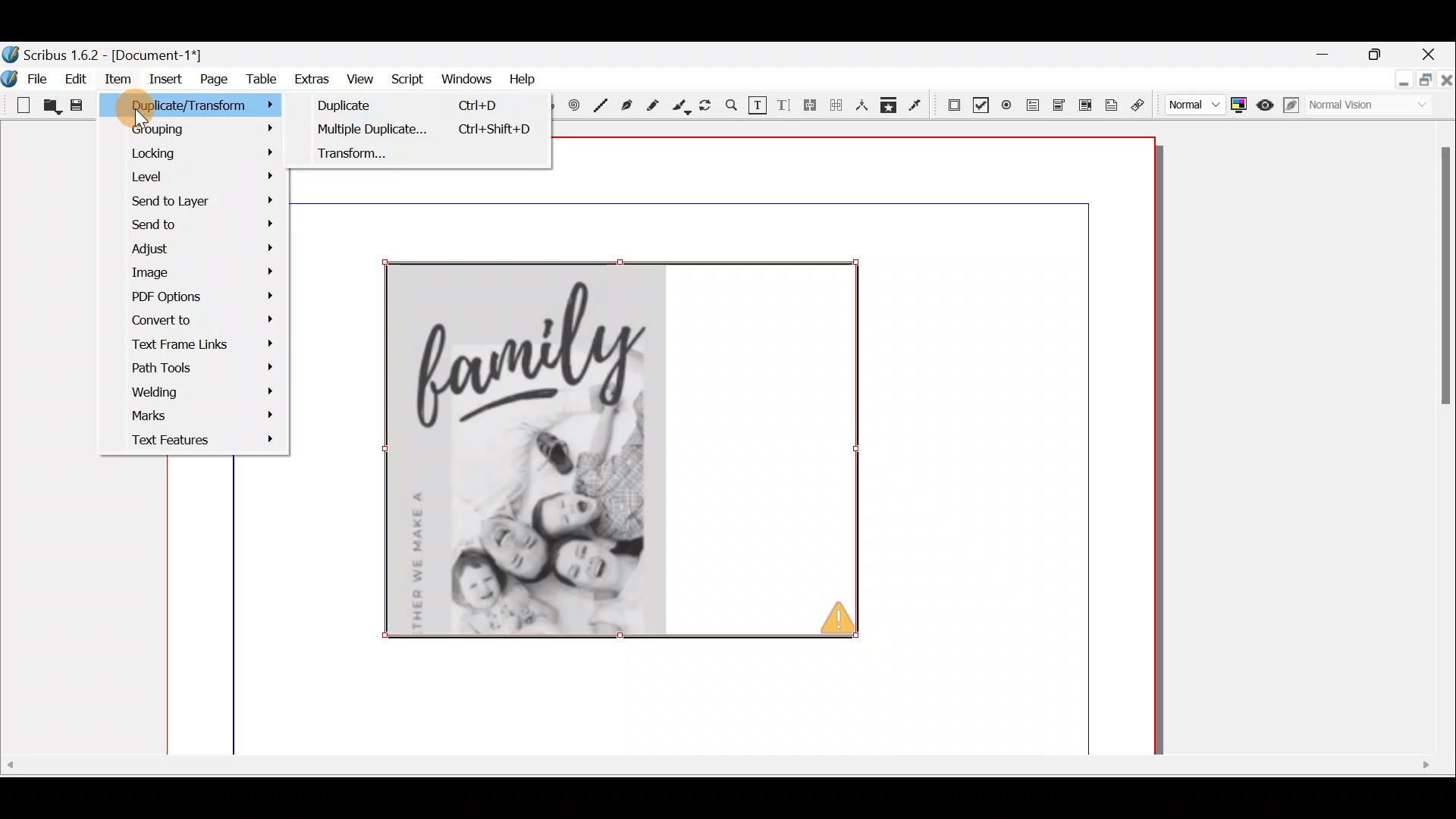 The width and height of the screenshot is (1456, 819). Describe the element at coordinates (1434, 51) in the screenshot. I see `Close` at that location.